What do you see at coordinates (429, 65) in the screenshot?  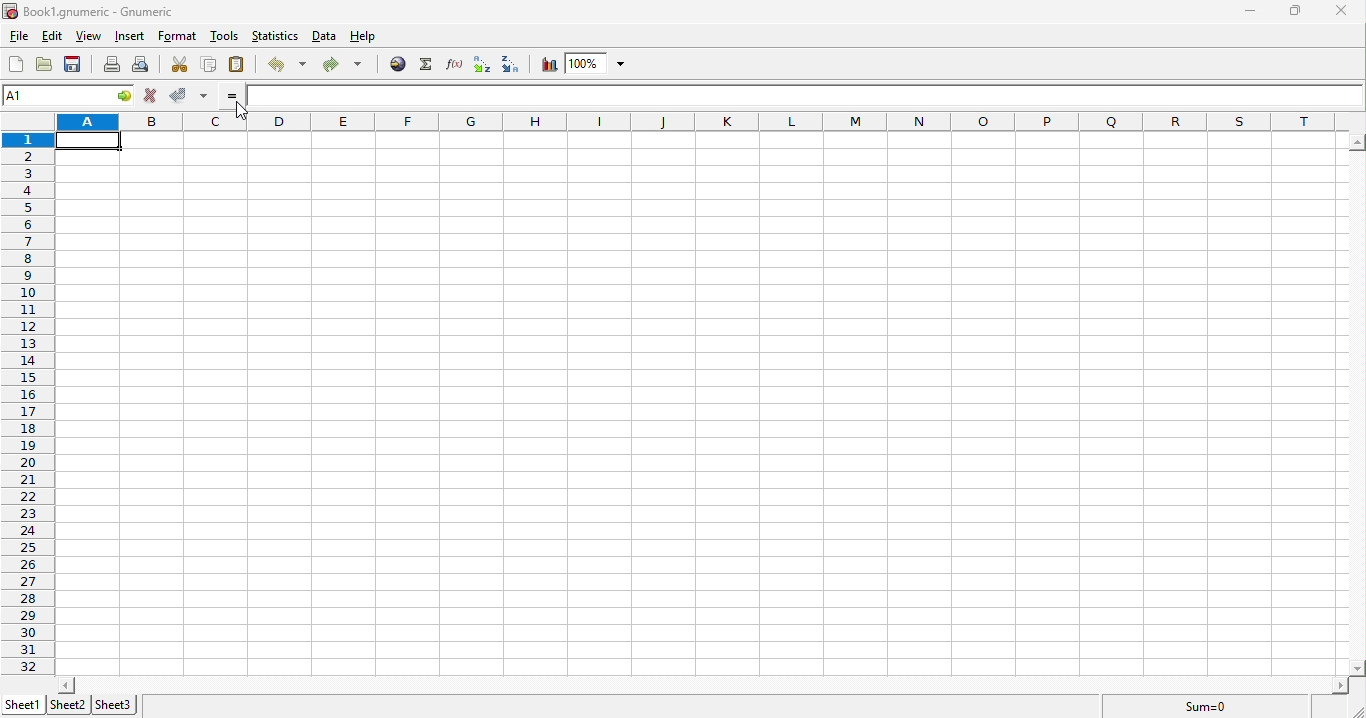 I see `select function` at bounding box center [429, 65].